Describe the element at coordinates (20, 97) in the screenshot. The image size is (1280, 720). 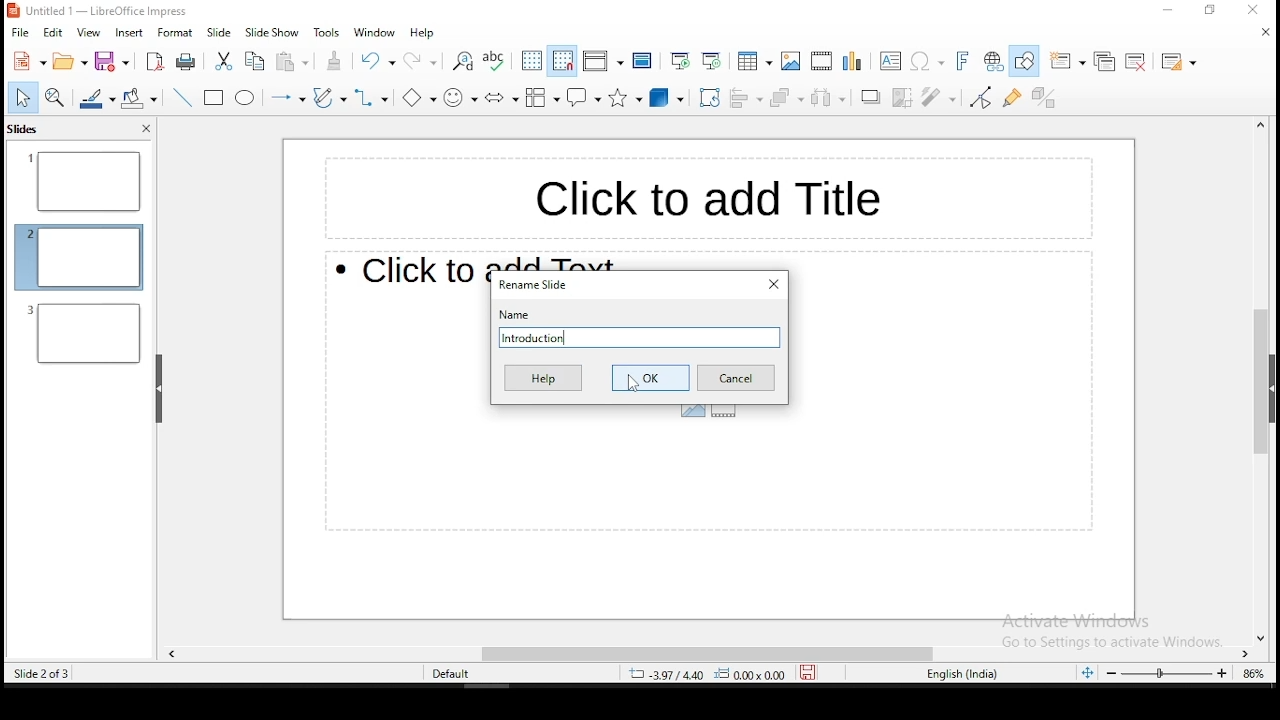
I see `select tool` at that location.